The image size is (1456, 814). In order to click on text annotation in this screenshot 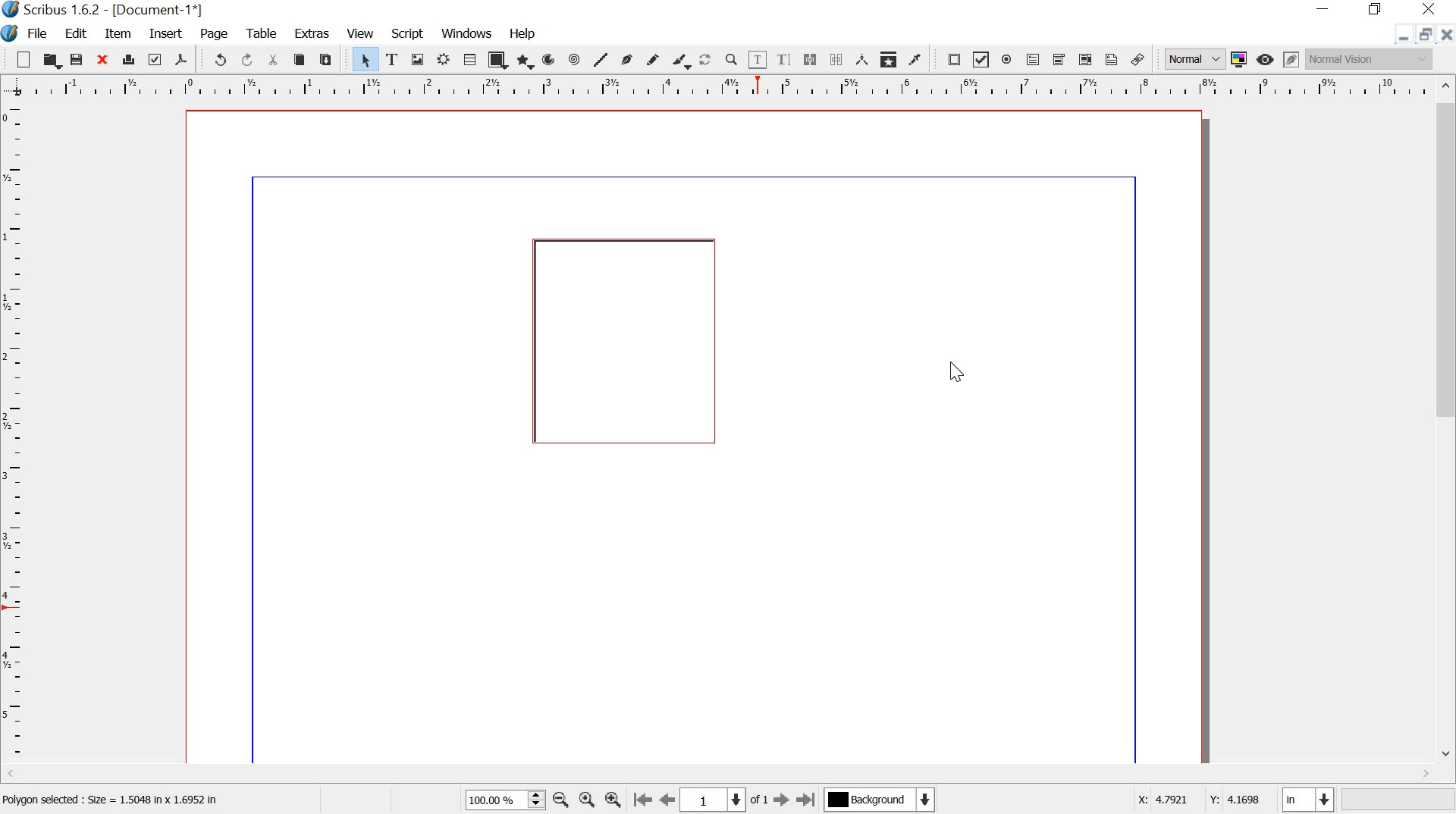, I will do `click(1112, 61)`.